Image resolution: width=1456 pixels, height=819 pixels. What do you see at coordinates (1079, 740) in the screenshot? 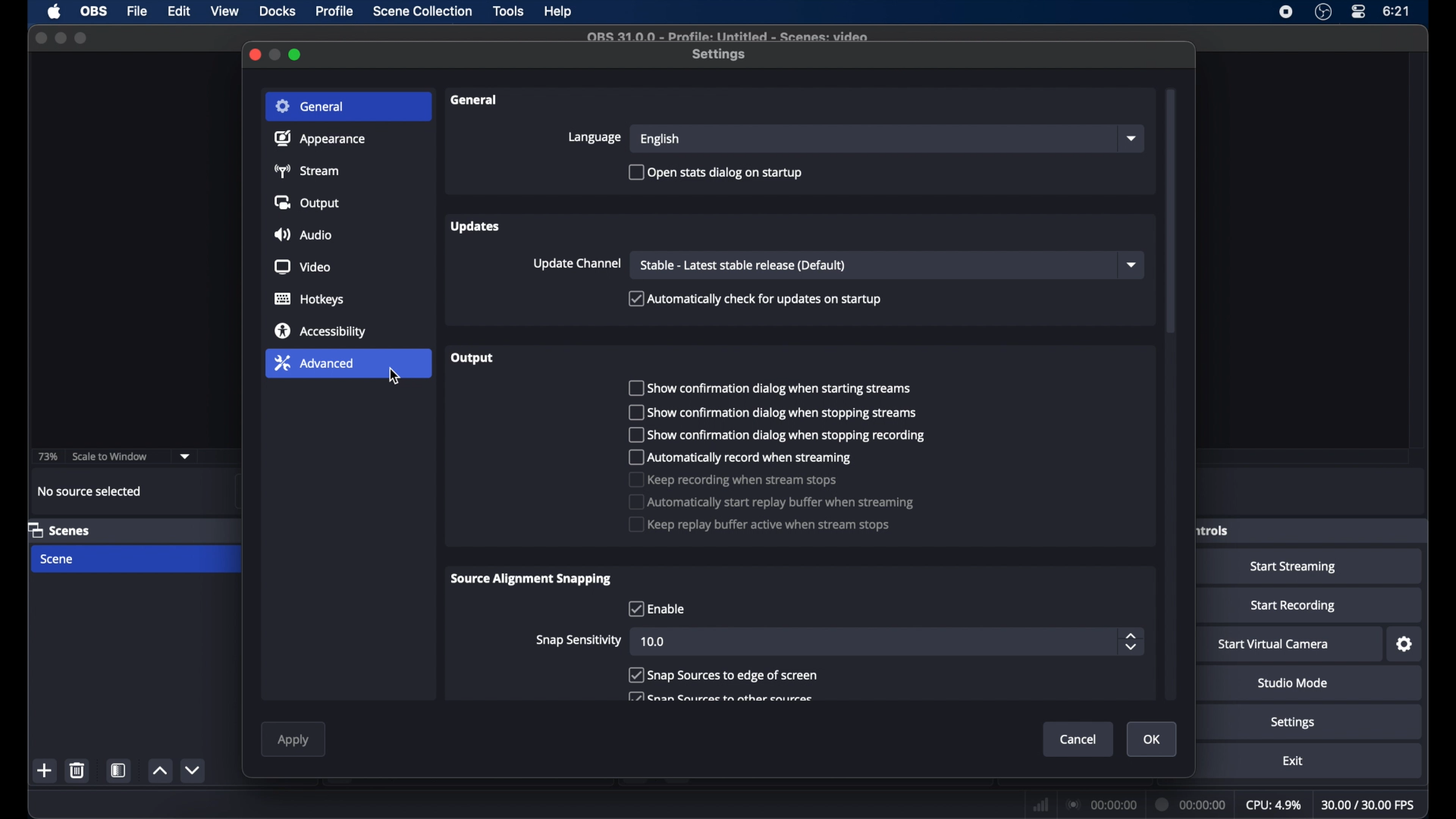
I see `cancel` at bounding box center [1079, 740].